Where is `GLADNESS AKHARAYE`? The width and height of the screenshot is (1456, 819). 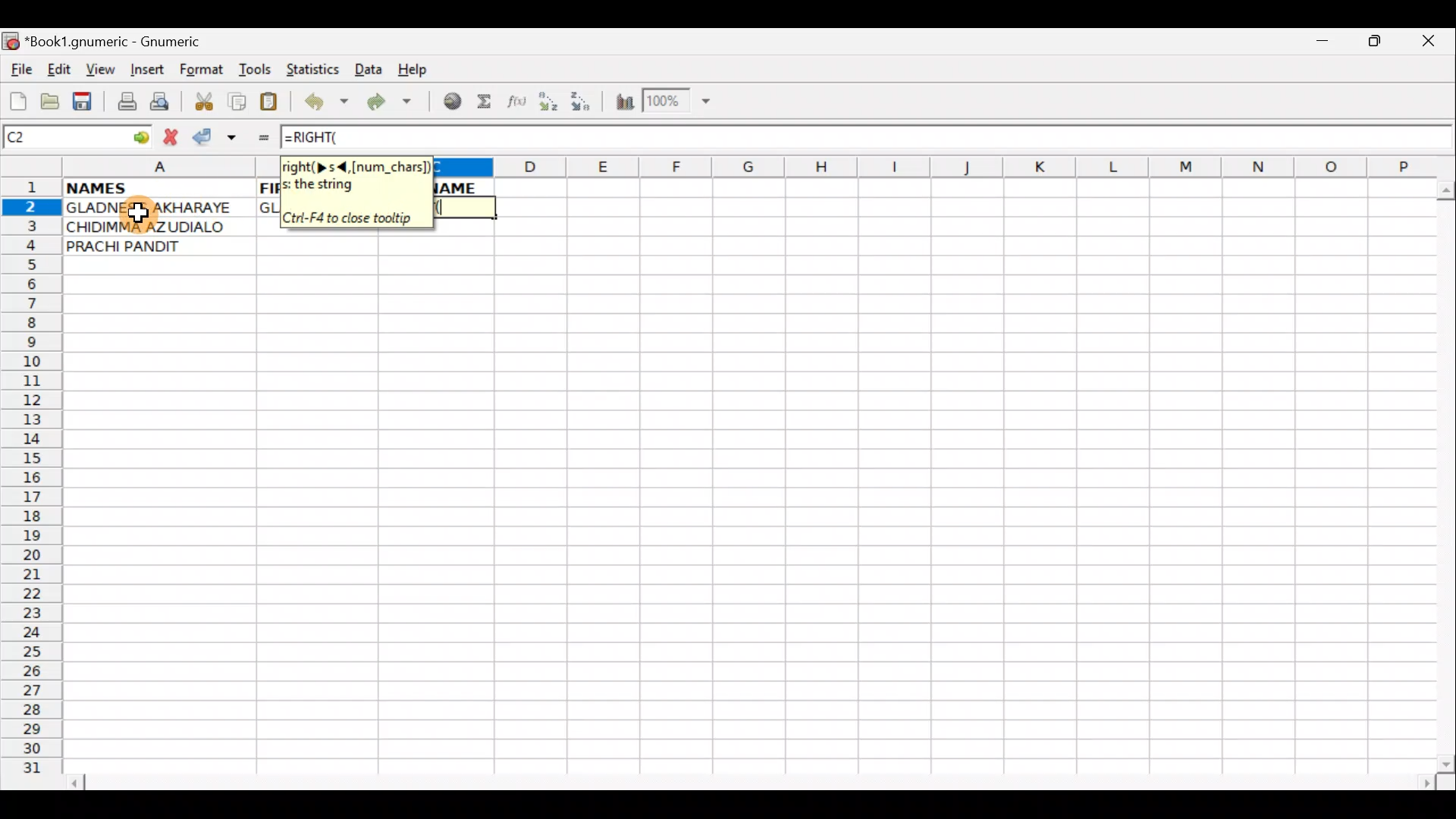 GLADNESS AKHARAYE is located at coordinates (158, 209).